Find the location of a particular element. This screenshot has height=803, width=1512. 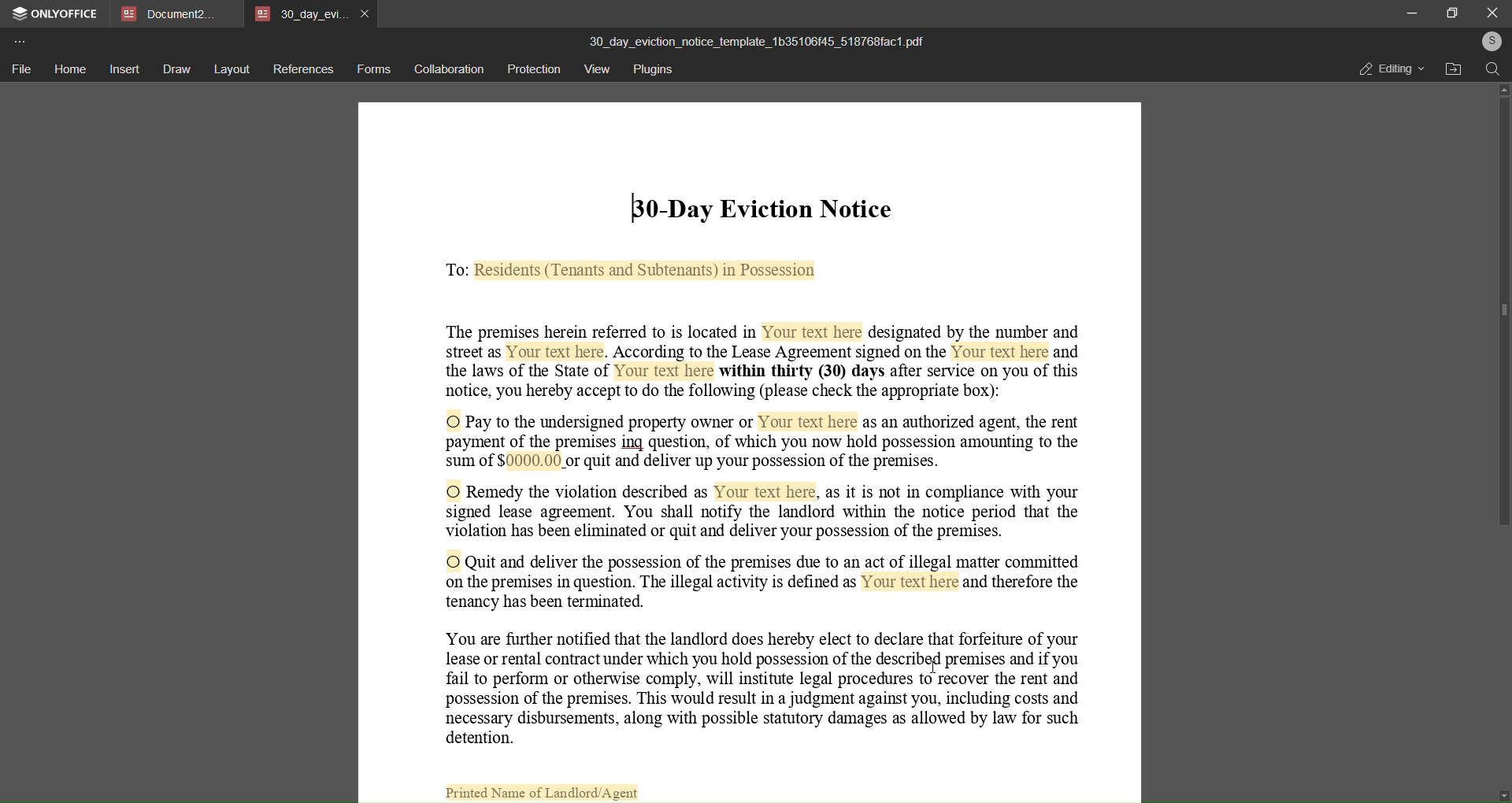

editing is located at coordinates (1391, 68).